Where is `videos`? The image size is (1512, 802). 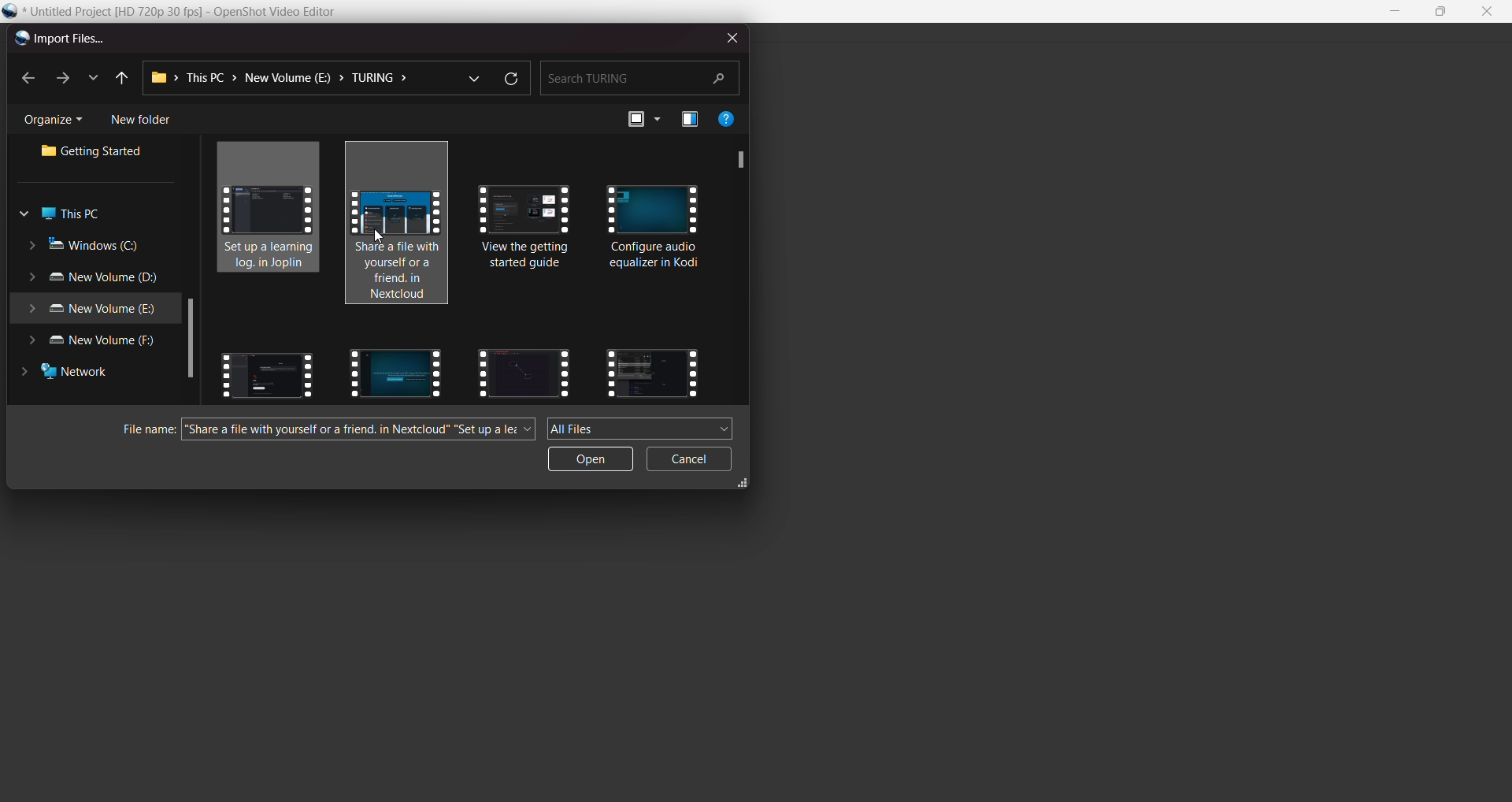
videos is located at coordinates (654, 231).